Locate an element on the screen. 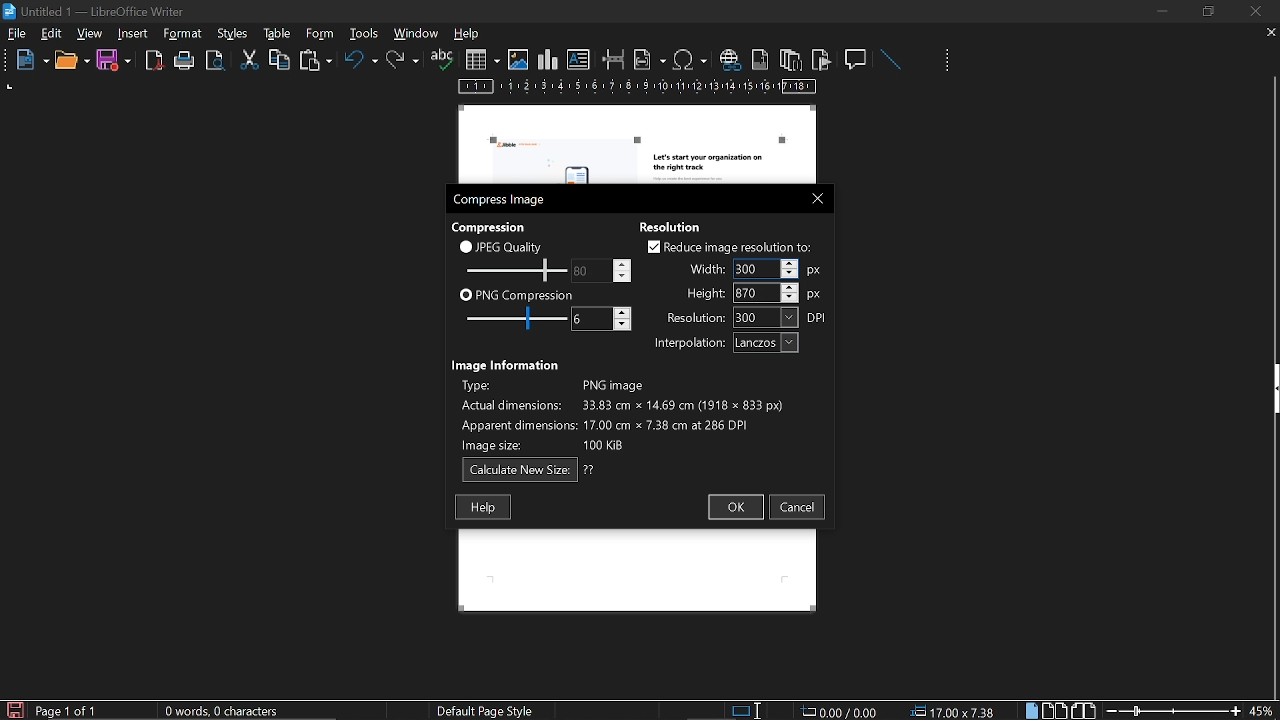 The width and height of the screenshot is (1280, 720). redo is located at coordinates (403, 60).